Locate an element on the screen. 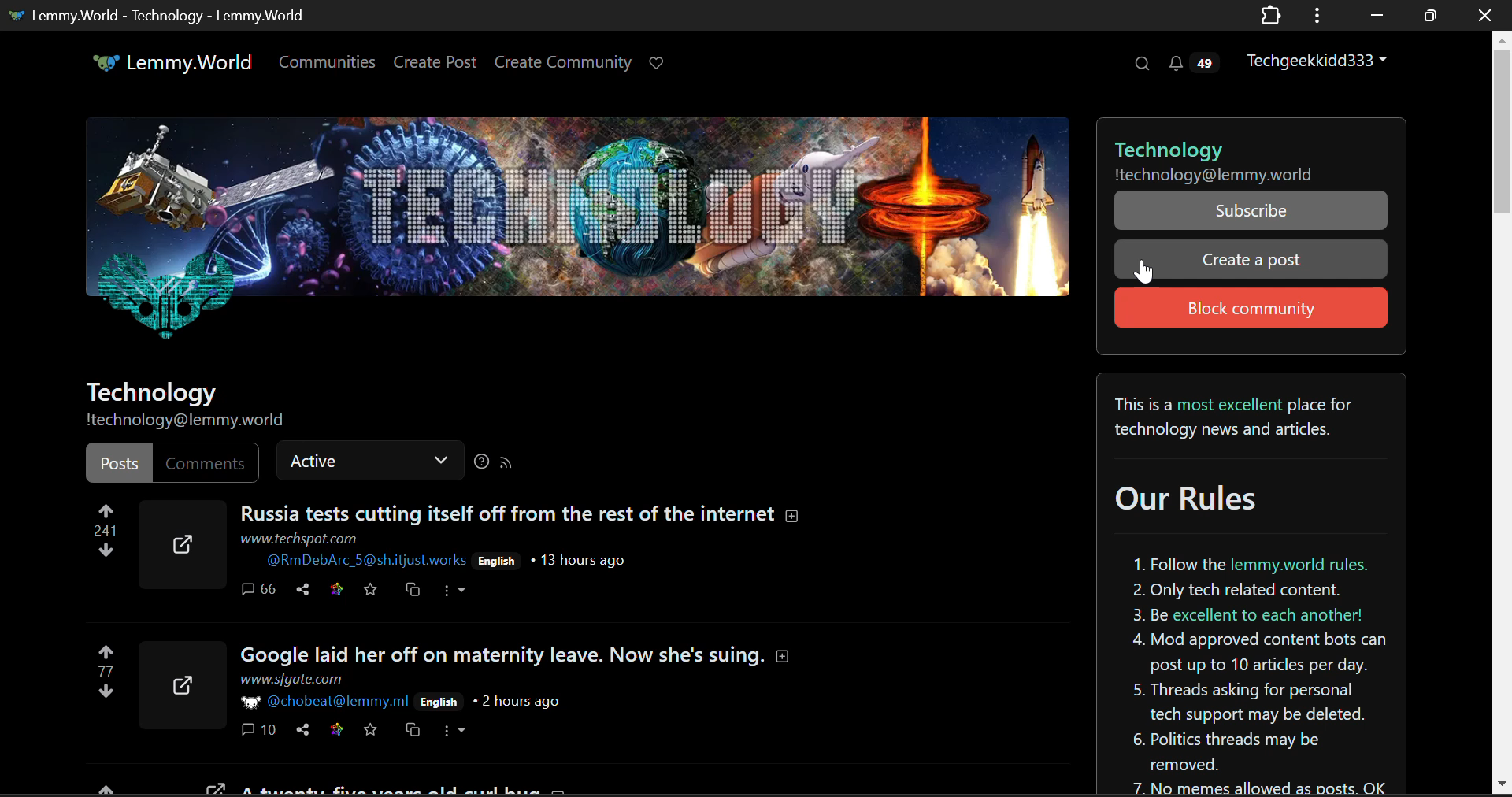 This screenshot has width=1512, height=797. Share is located at coordinates (302, 731).